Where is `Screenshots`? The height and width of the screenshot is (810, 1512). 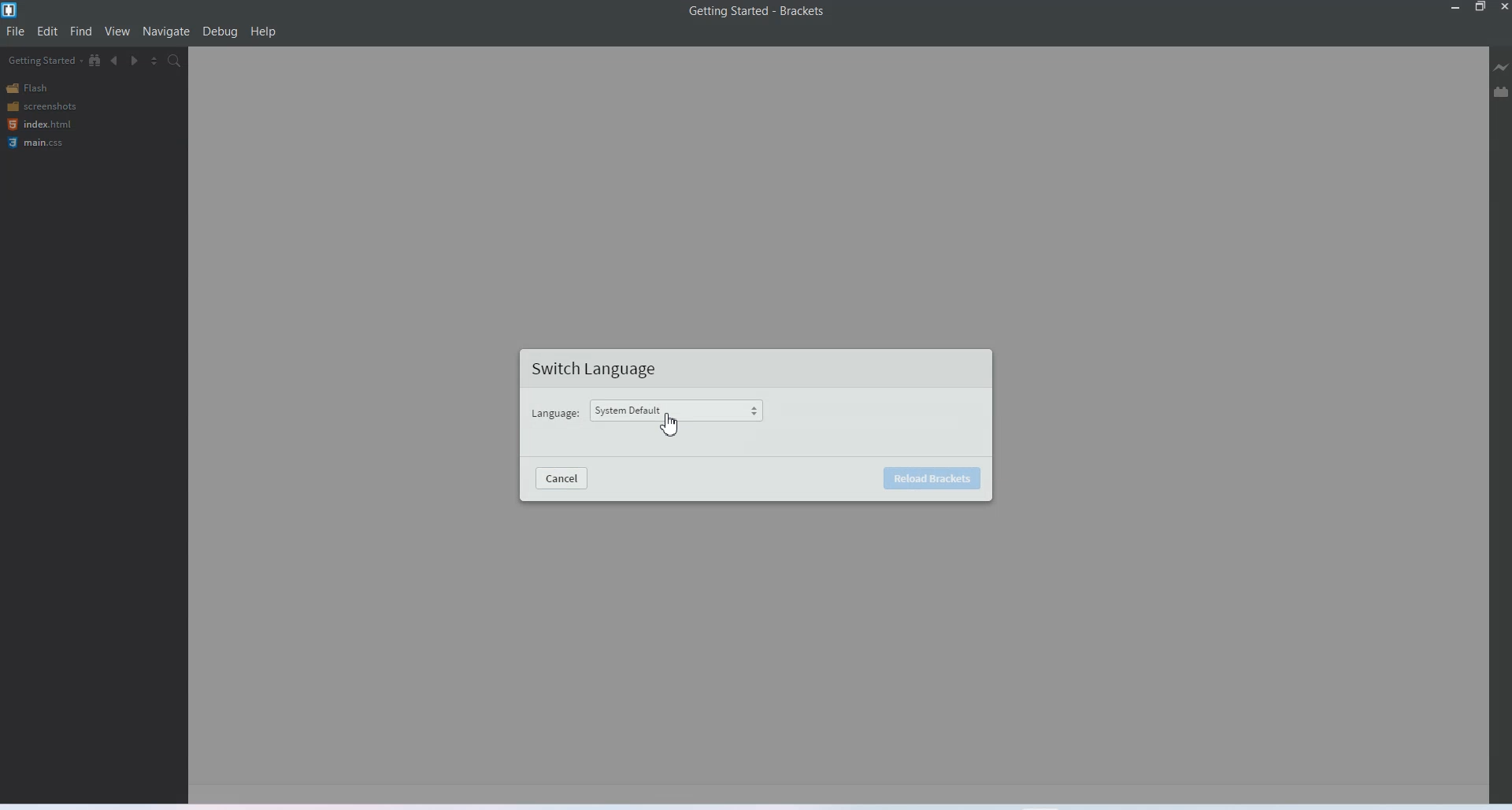
Screenshots is located at coordinates (41, 106).